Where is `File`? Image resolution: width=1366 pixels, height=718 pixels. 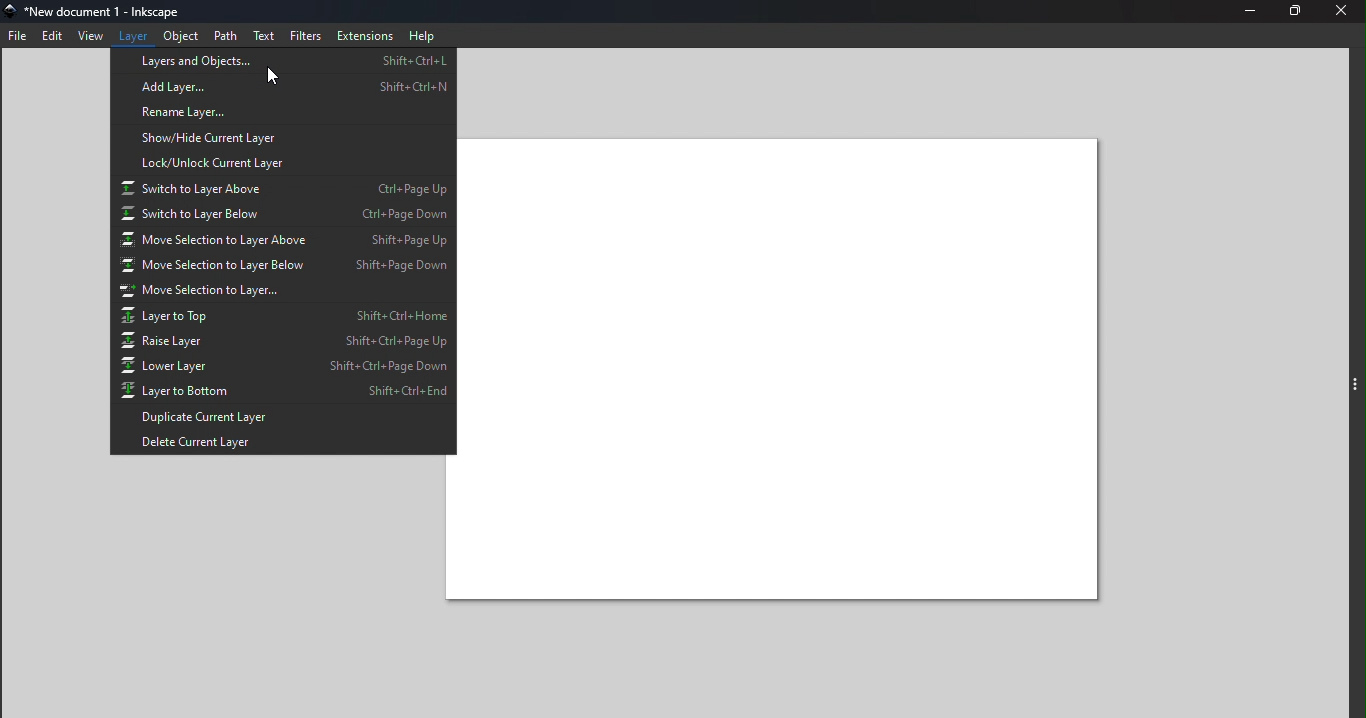 File is located at coordinates (16, 37).